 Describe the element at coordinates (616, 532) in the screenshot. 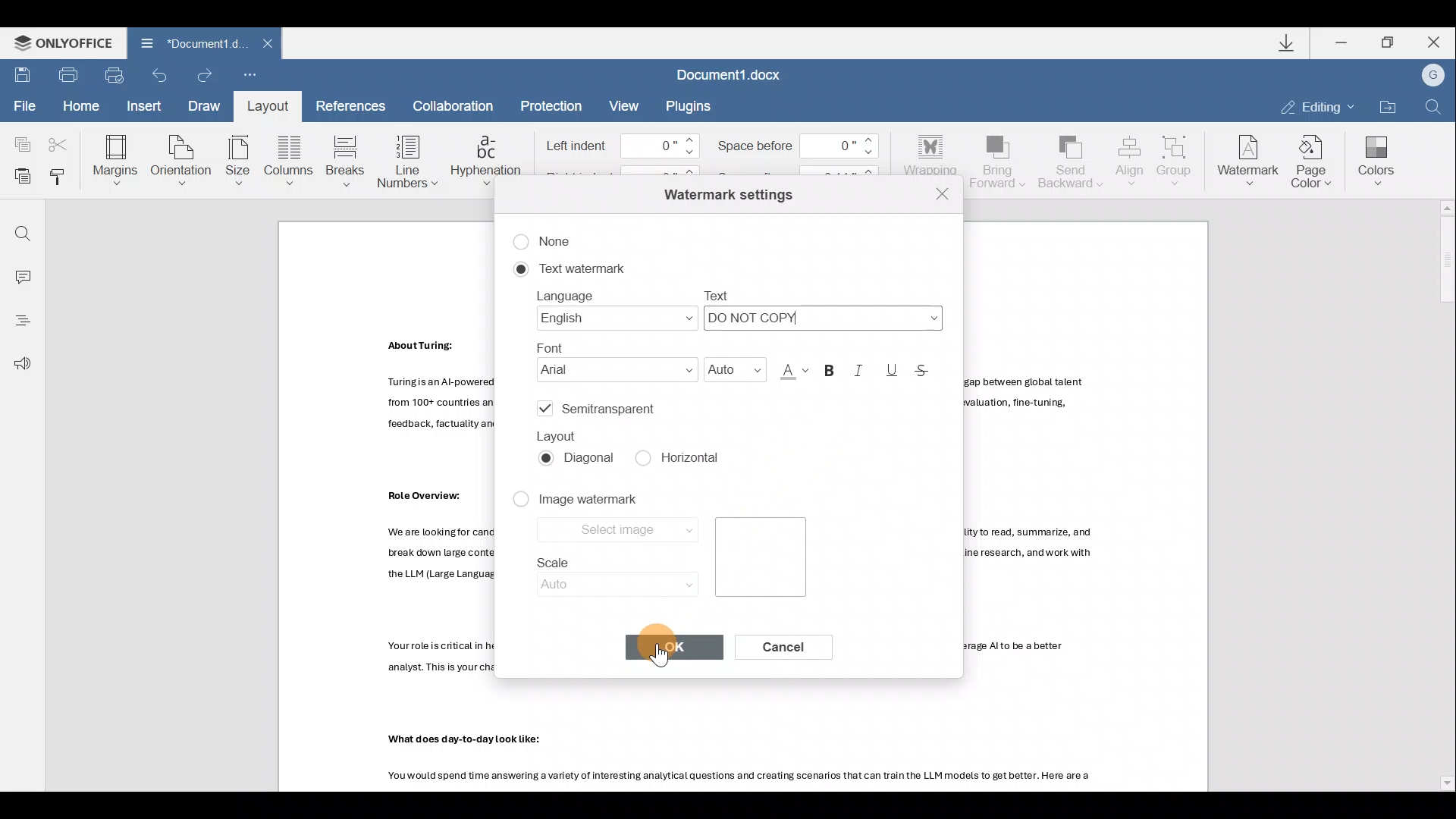

I see `Select image` at that location.